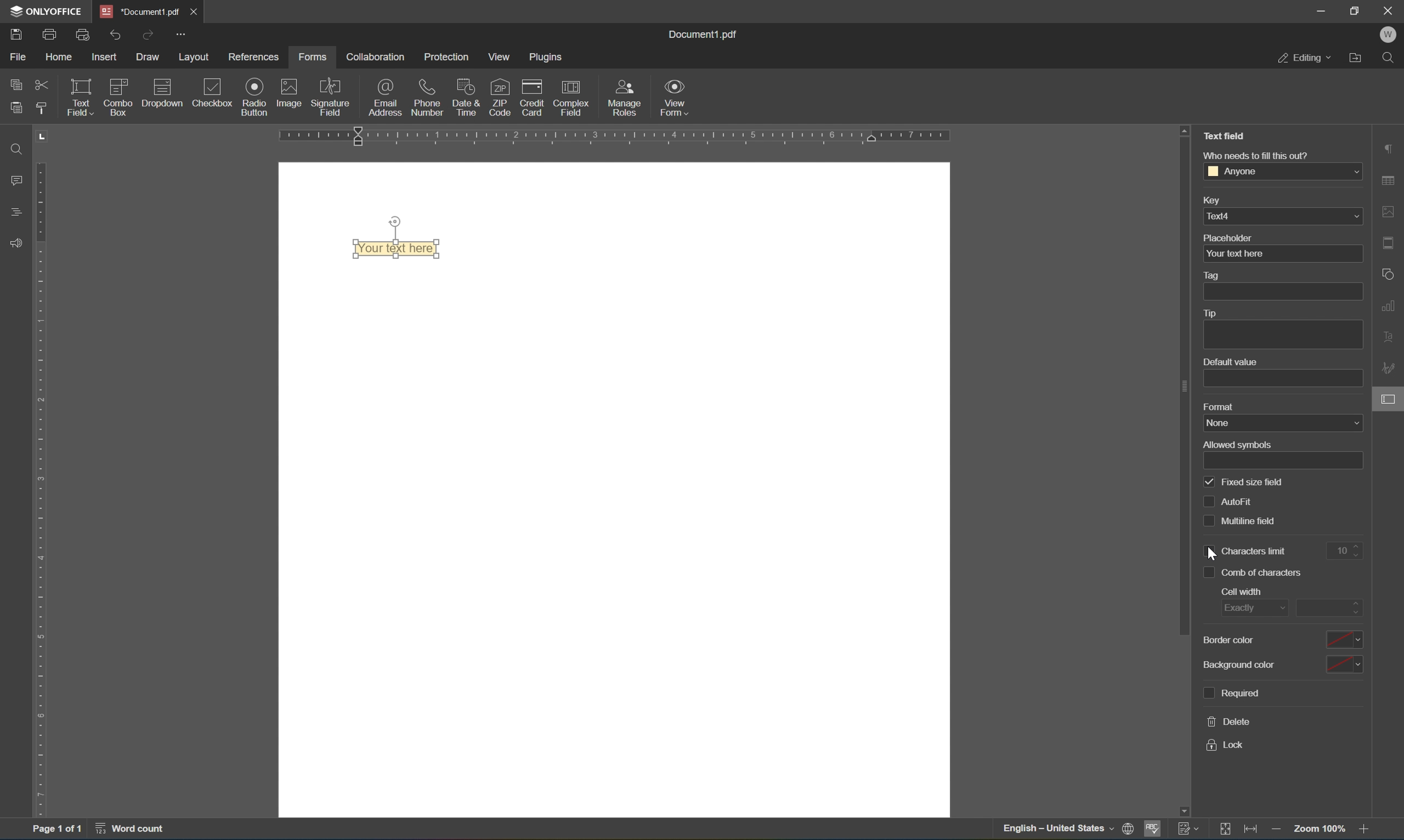 The width and height of the screenshot is (1404, 840). Describe the element at coordinates (140, 117) in the screenshot. I see `insert field text field` at that location.